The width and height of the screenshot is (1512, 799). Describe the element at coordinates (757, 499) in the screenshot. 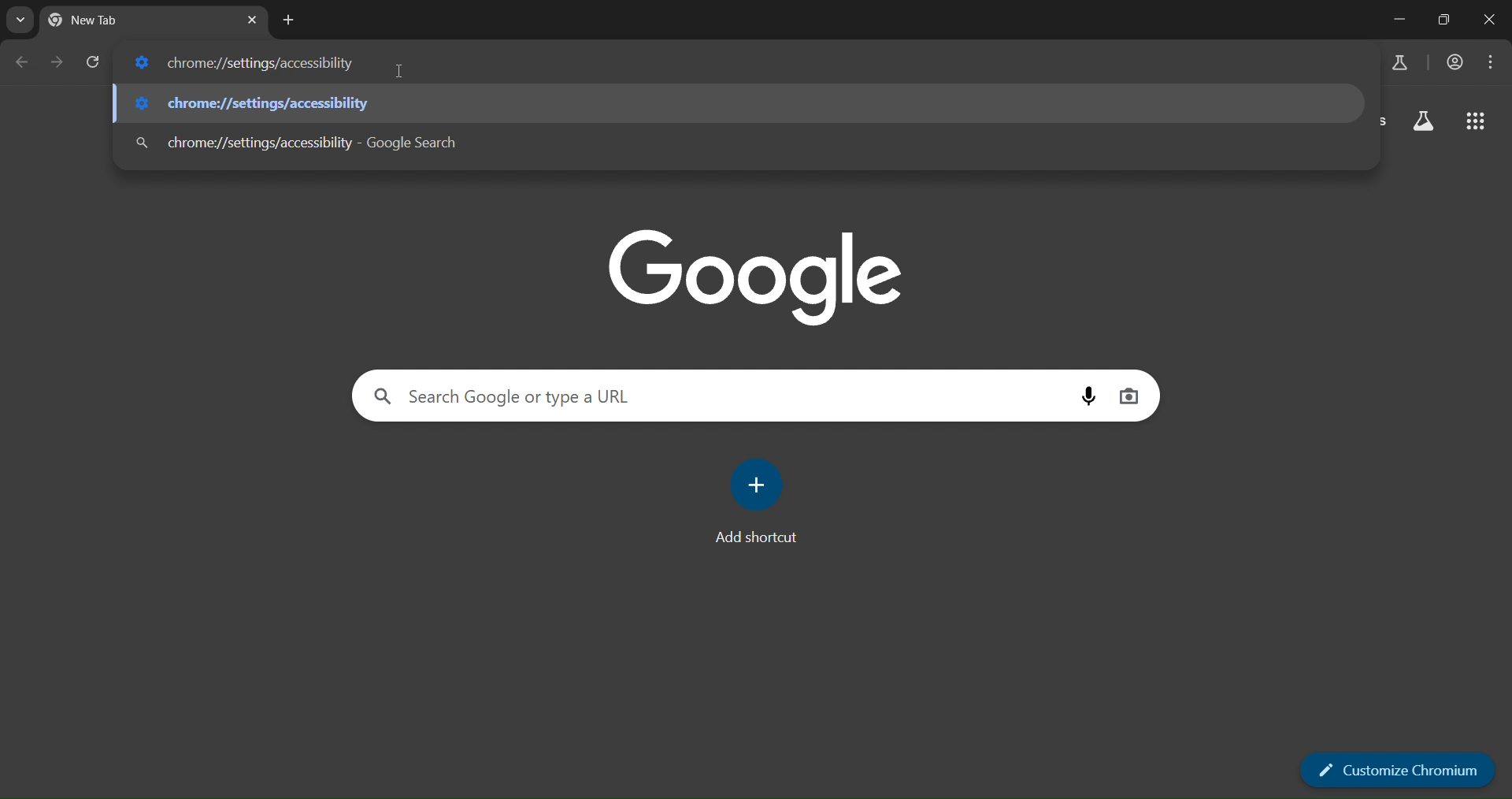

I see `Add shortcut` at that location.